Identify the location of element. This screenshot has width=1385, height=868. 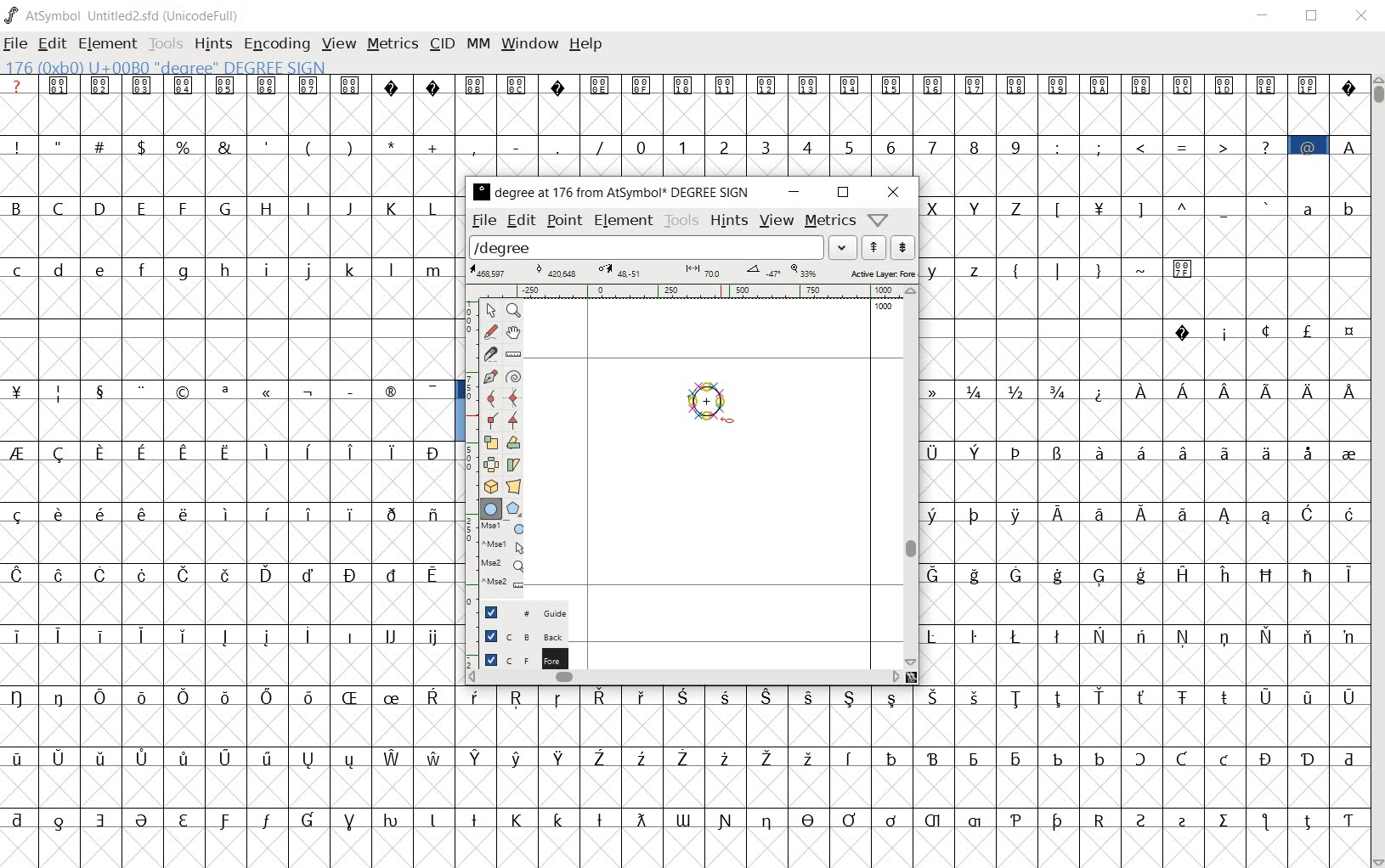
(108, 43).